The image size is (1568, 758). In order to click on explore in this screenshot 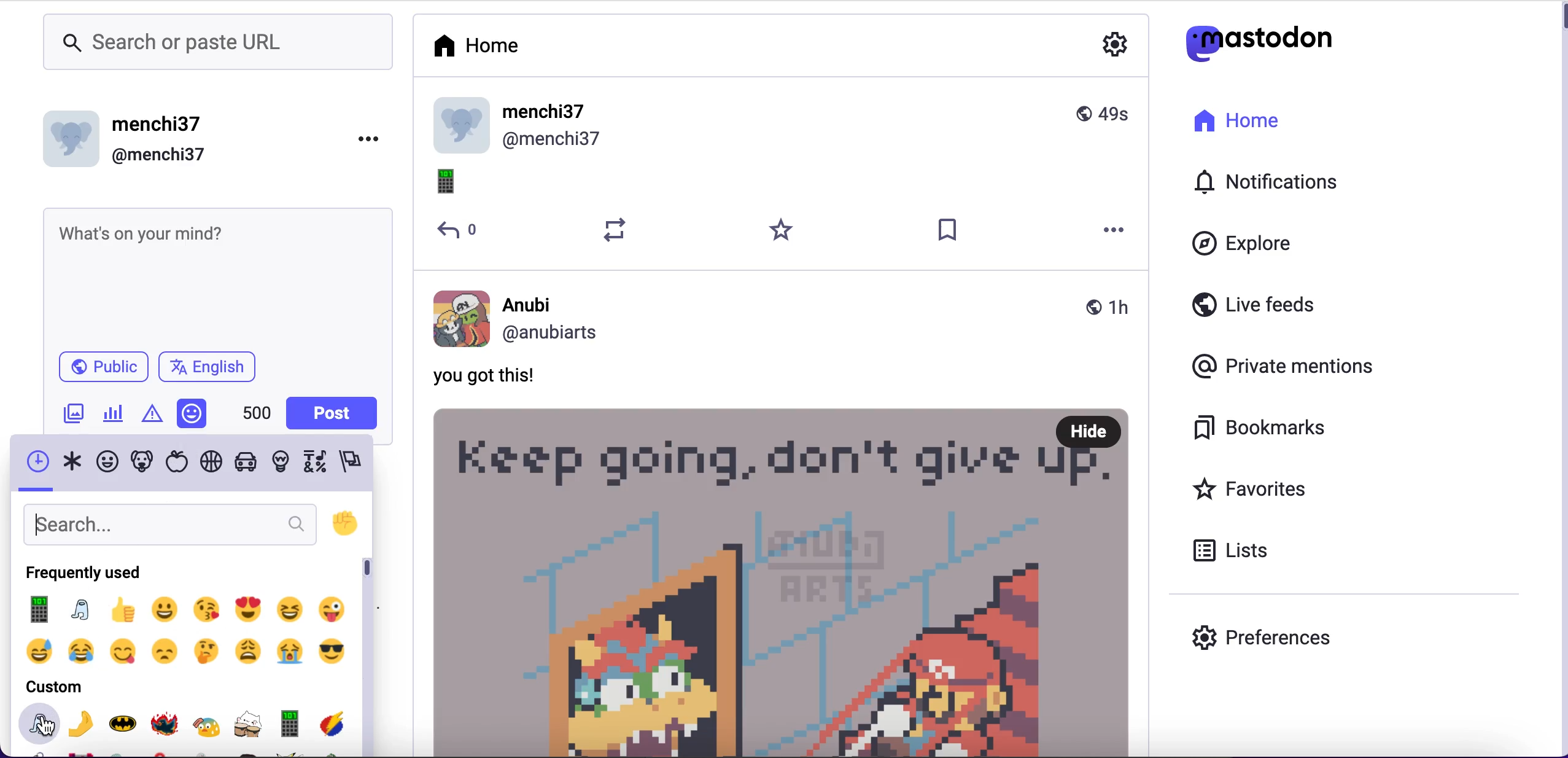, I will do `click(1236, 246)`.